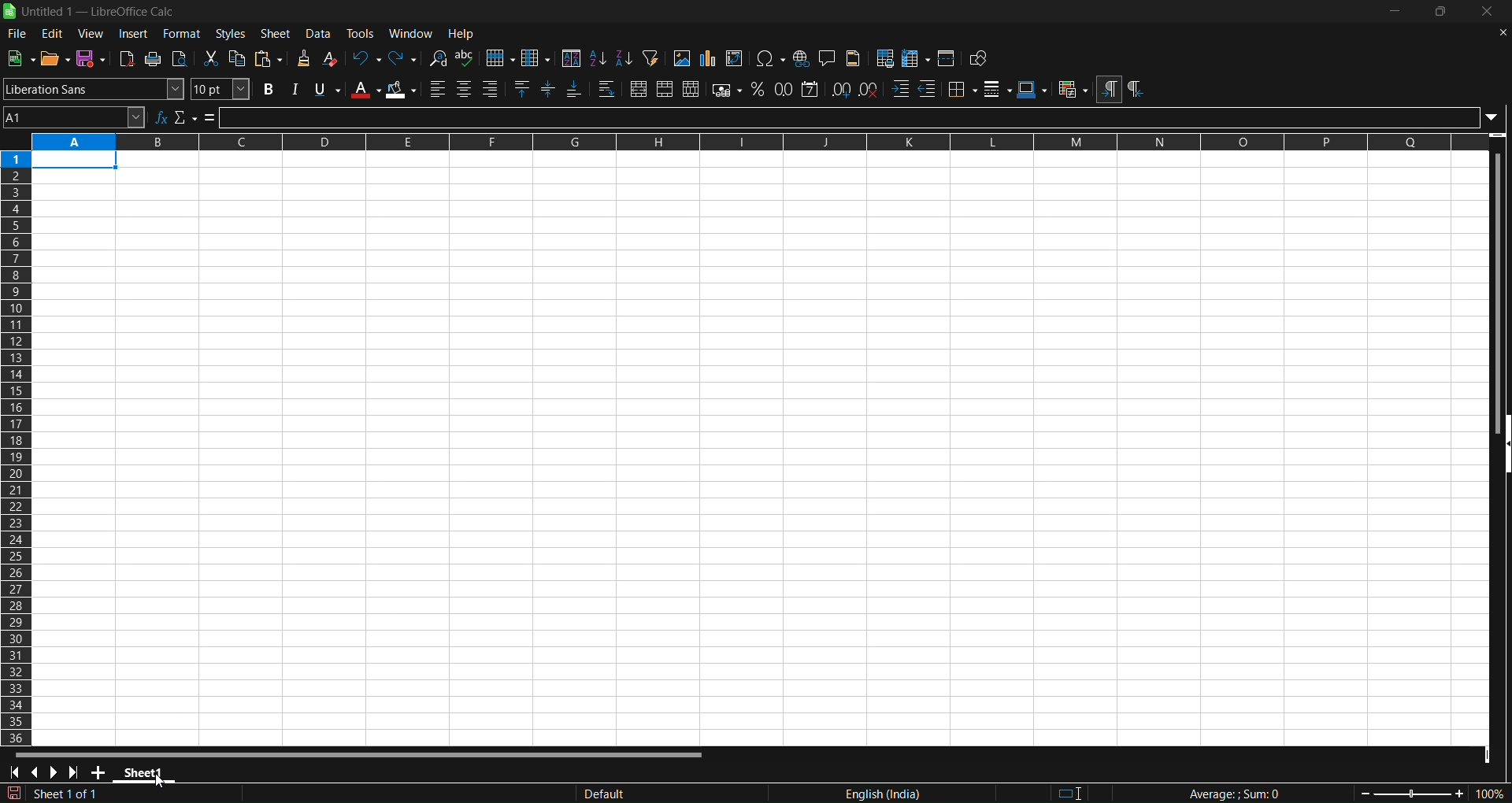 The height and width of the screenshot is (803, 1512). Describe the element at coordinates (15, 35) in the screenshot. I see `file` at that location.